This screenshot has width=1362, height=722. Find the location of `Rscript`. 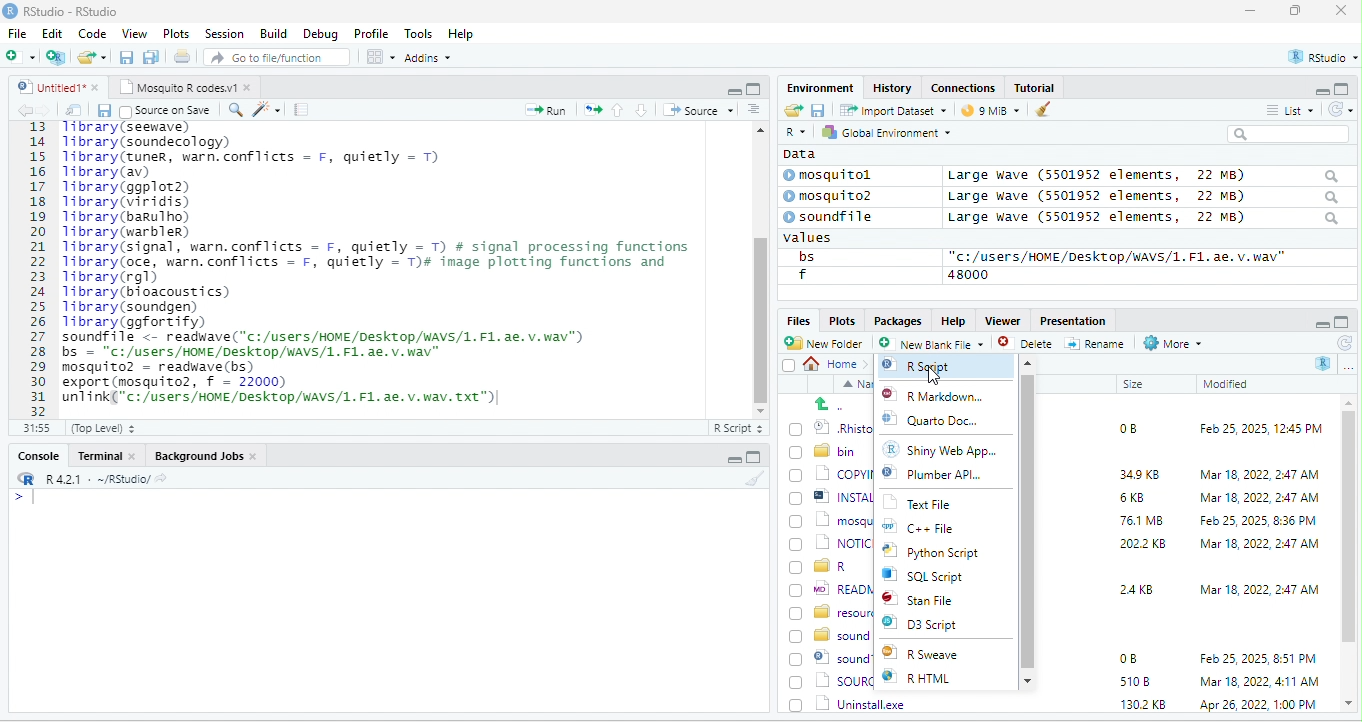

Rscript is located at coordinates (925, 366).